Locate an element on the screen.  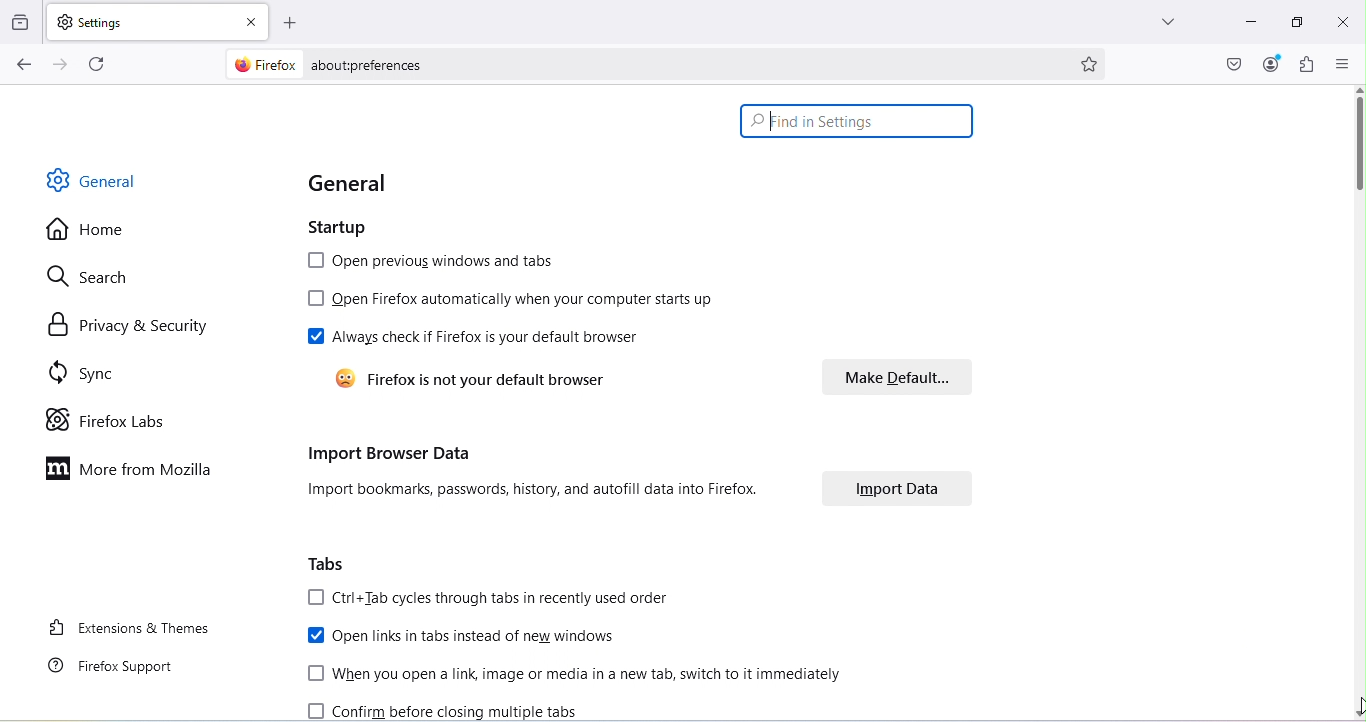
Open application menu is located at coordinates (1340, 64).